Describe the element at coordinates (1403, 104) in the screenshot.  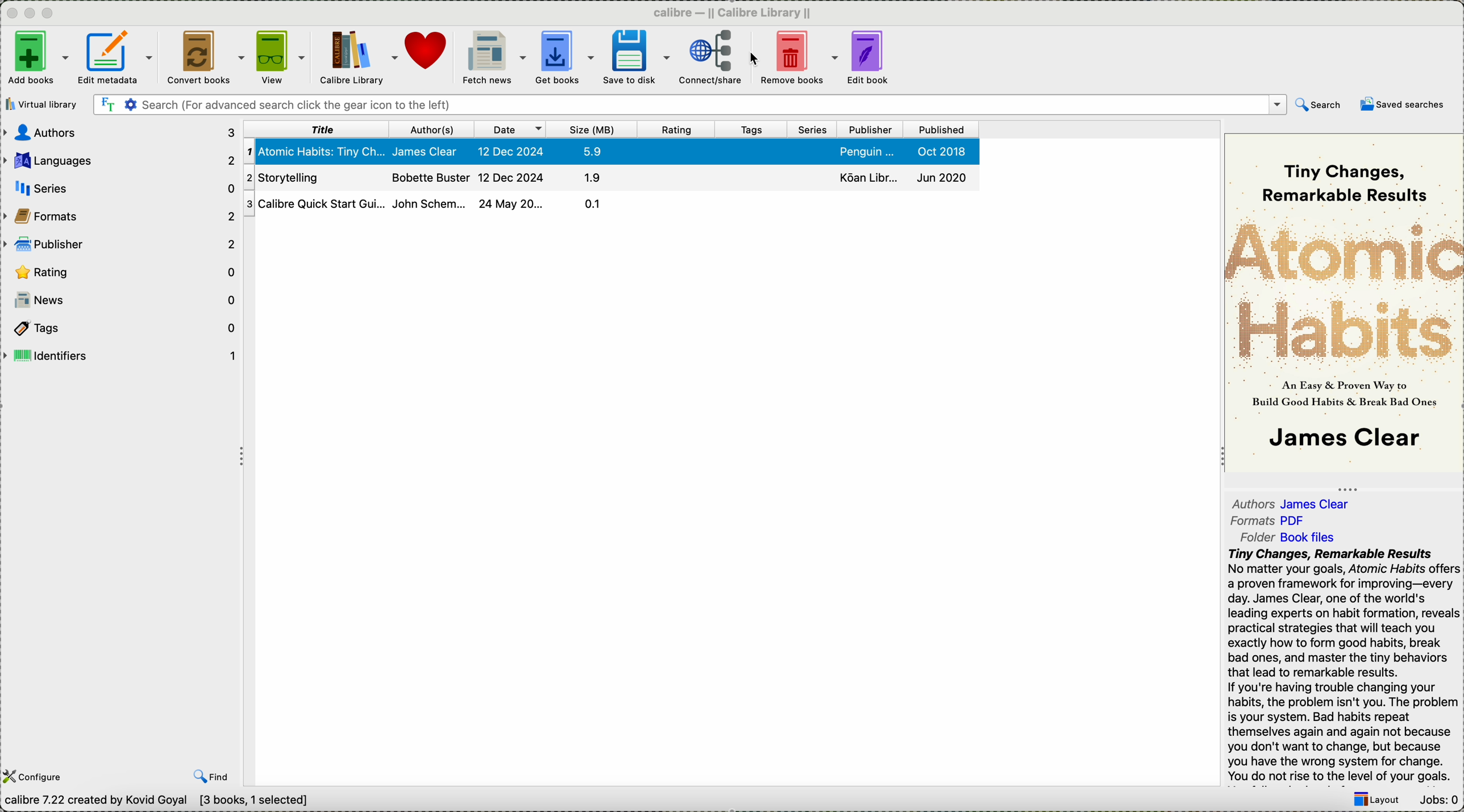
I see `saved searches` at that location.